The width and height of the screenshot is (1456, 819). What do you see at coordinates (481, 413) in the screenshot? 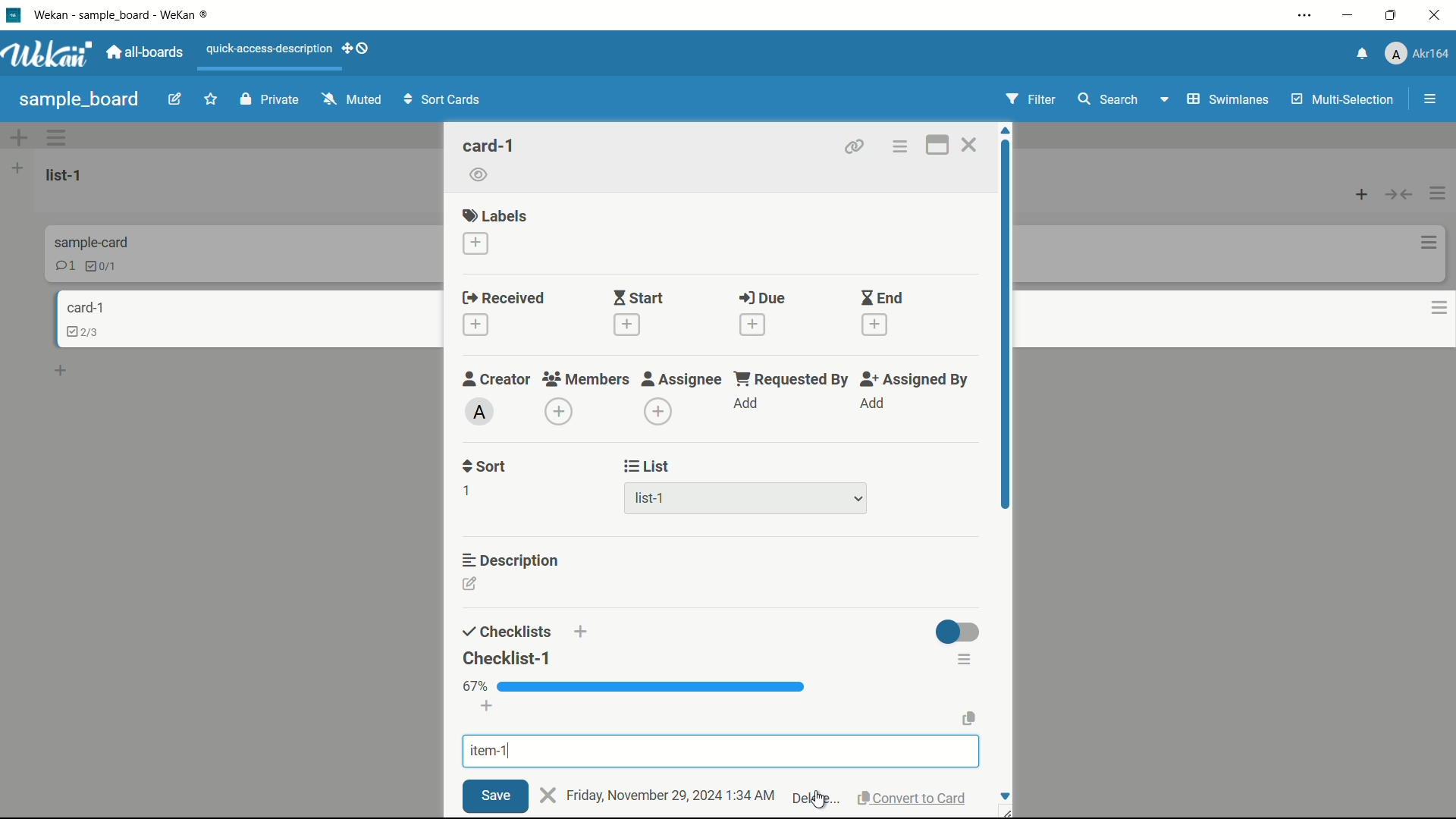
I see `admin` at bounding box center [481, 413].